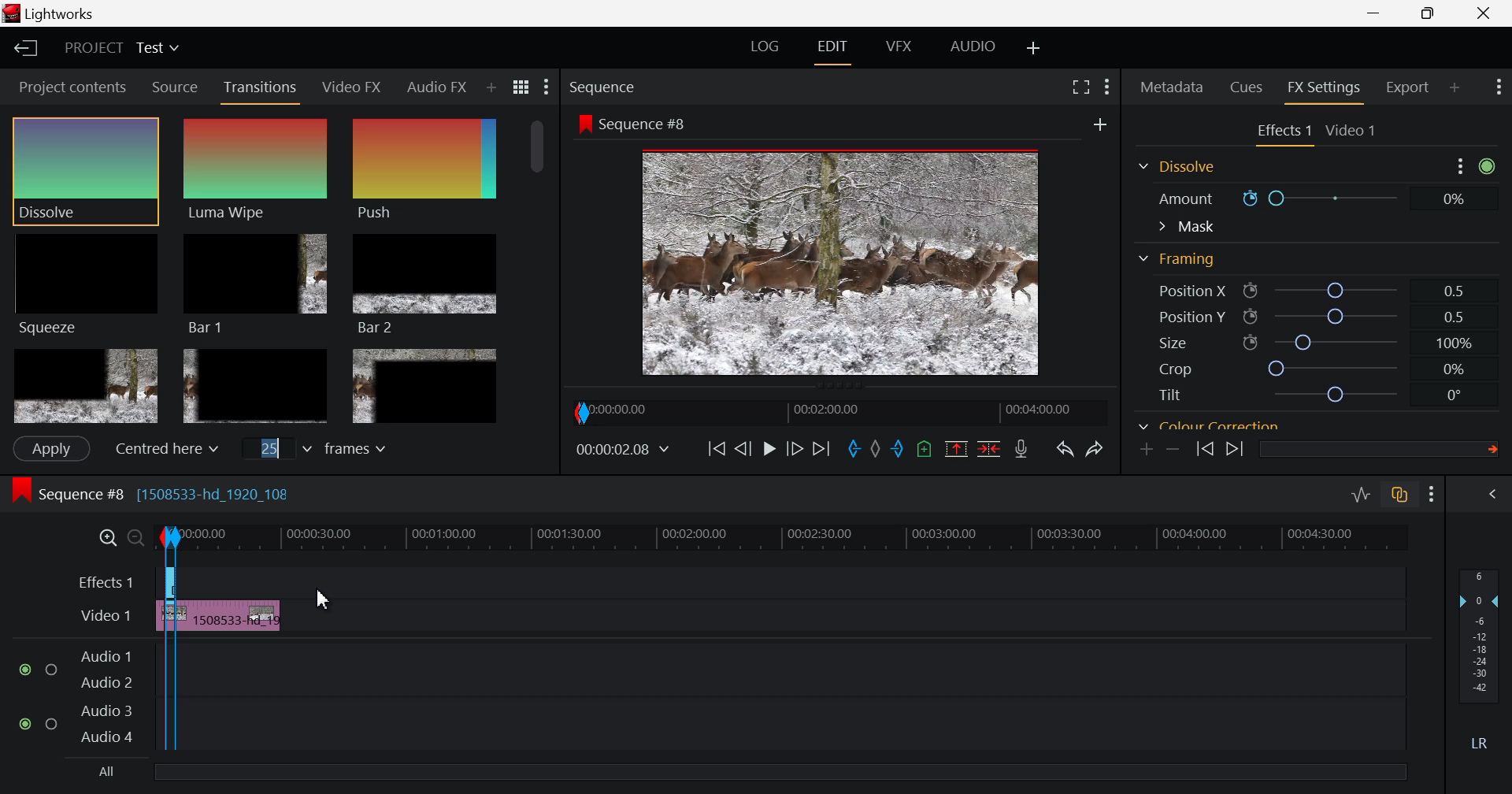 The image size is (1512, 794). What do you see at coordinates (1496, 284) in the screenshot?
I see `Scroll Bar` at bounding box center [1496, 284].